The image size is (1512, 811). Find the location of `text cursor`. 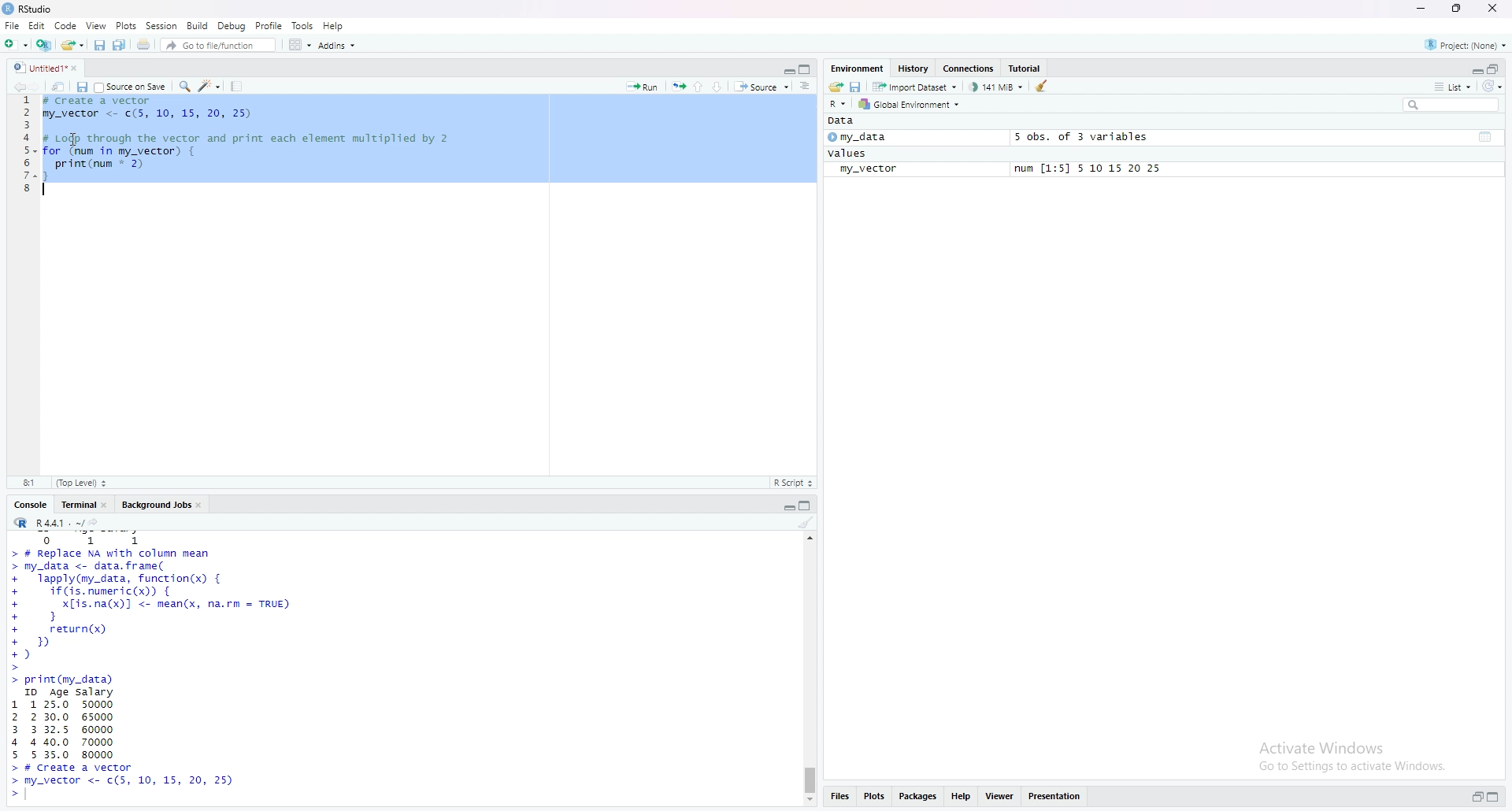

text cursor is located at coordinates (45, 190).